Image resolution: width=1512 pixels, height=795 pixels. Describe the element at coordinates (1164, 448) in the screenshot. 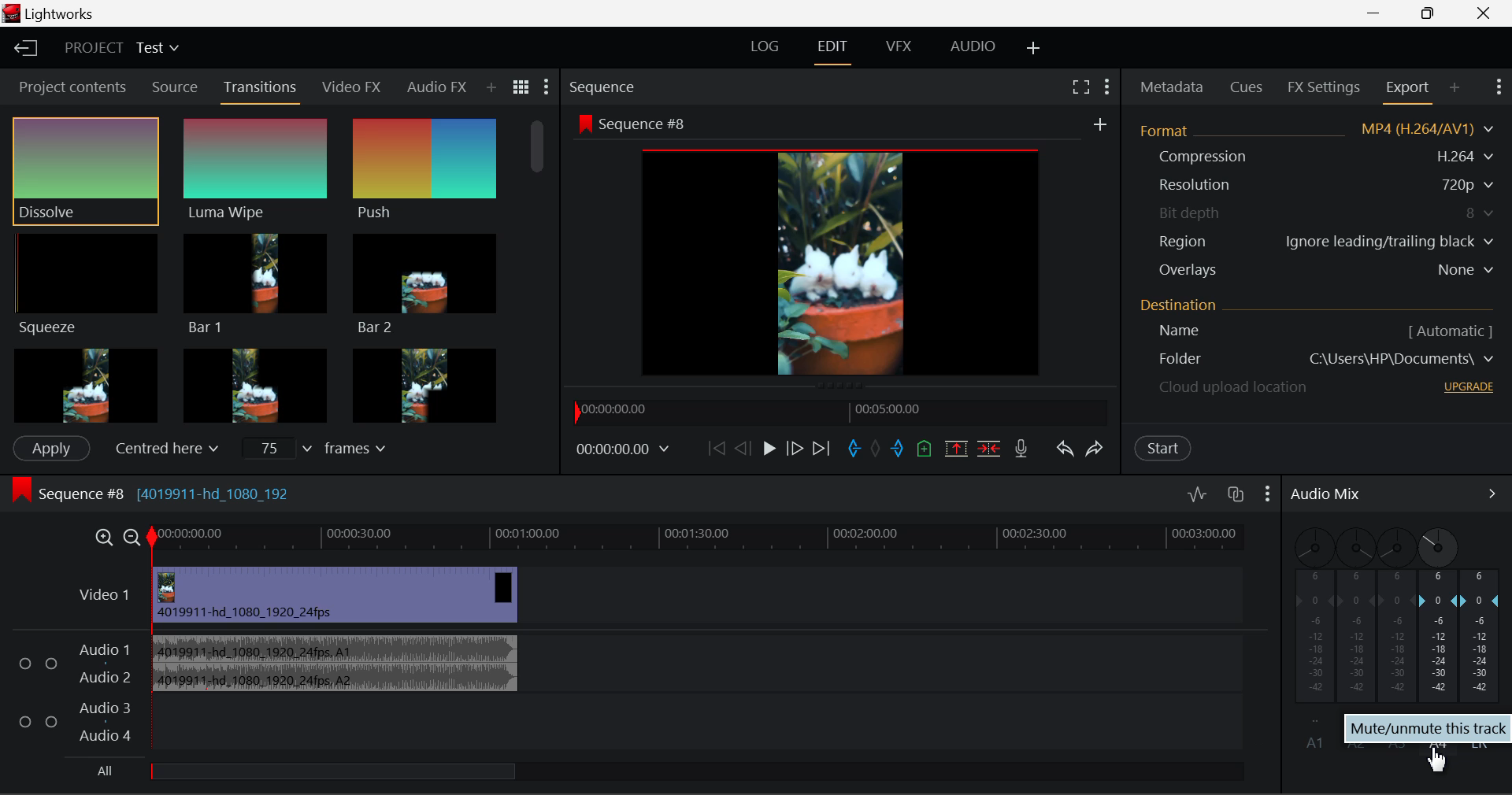

I see `Start` at that location.